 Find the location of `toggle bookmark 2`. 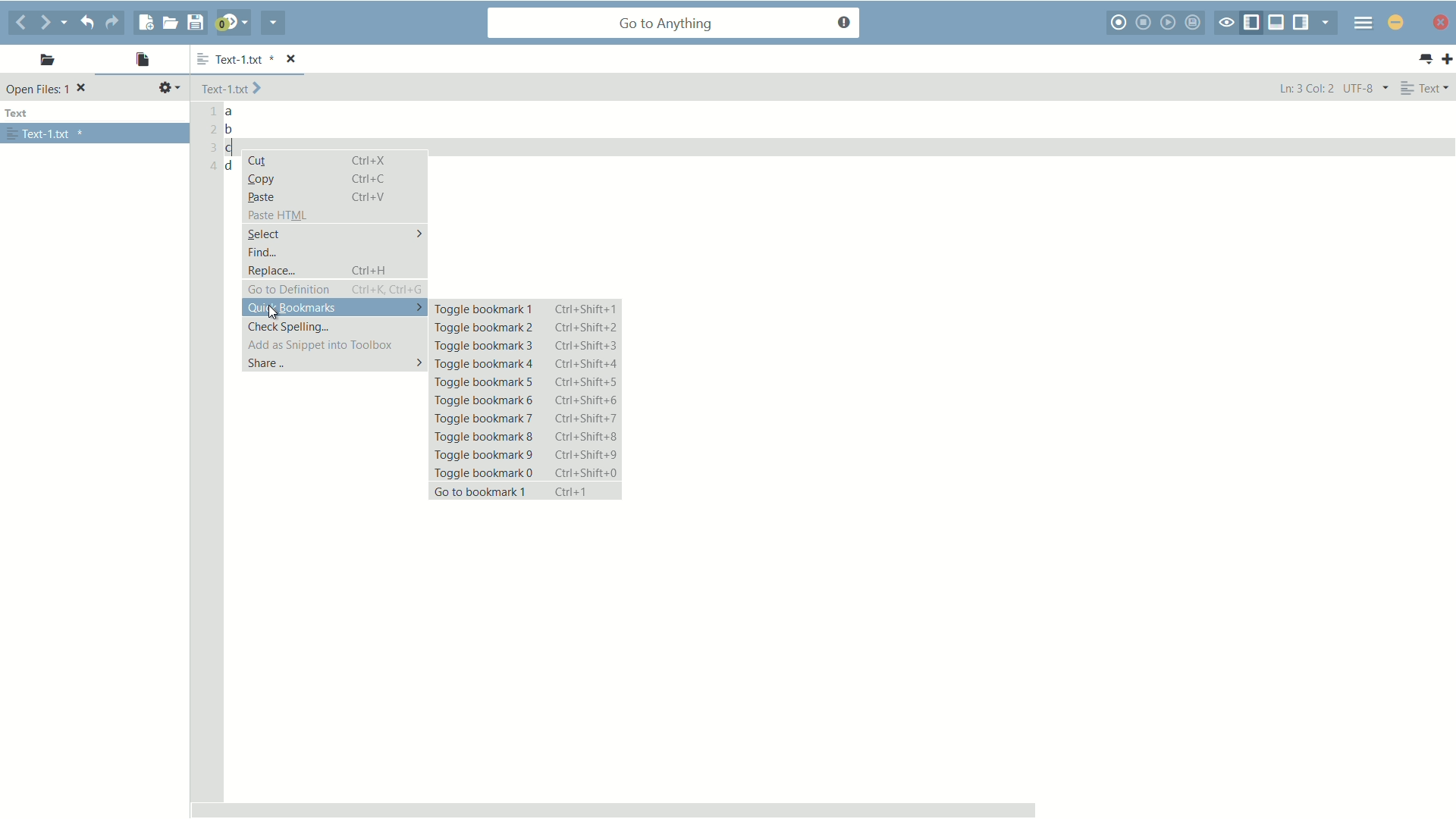

toggle bookmark 2 is located at coordinates (525, 328).